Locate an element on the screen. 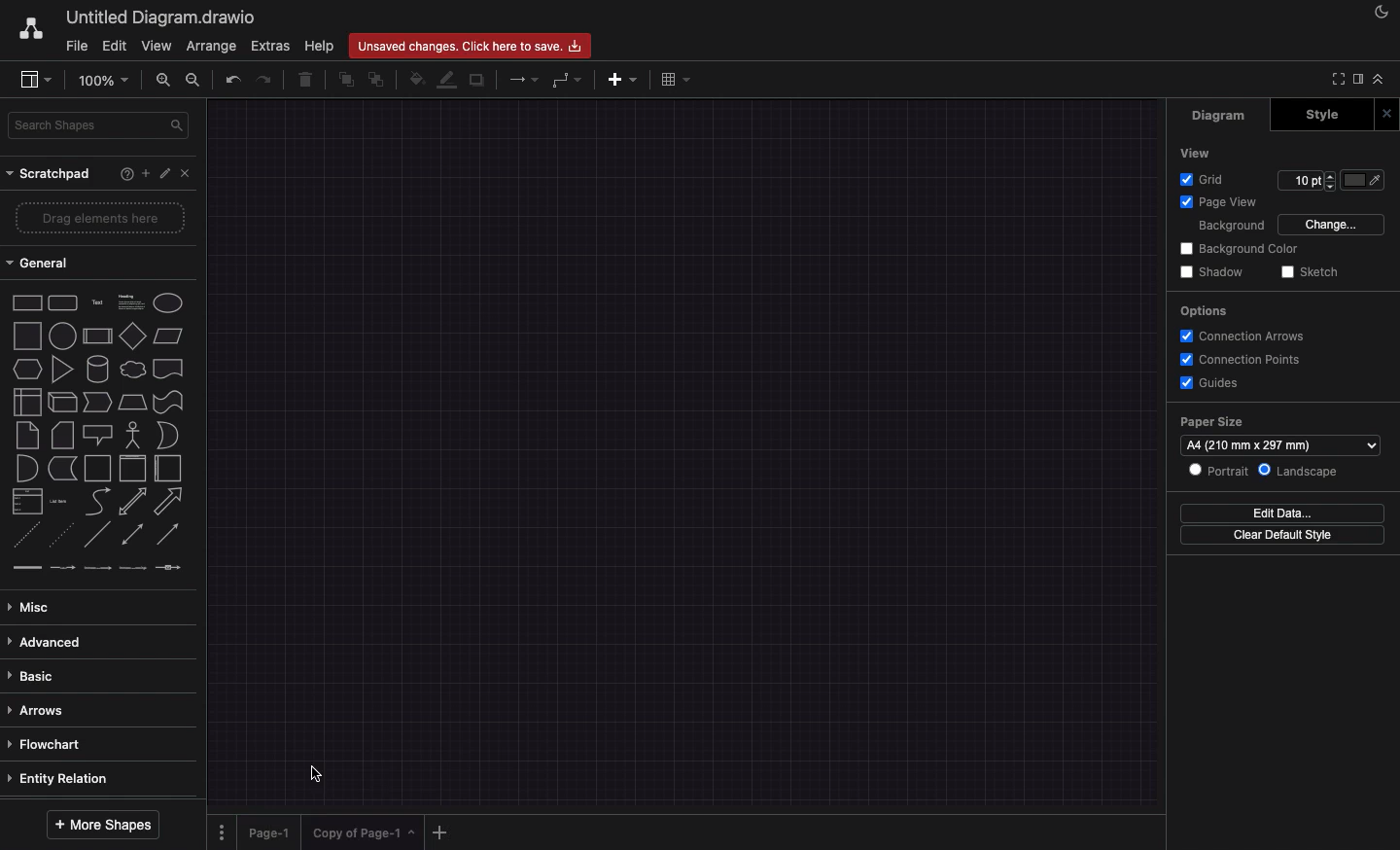 The height and width of the screenshot is (850, 1400). zoom in is located at coordinates (162, 81).